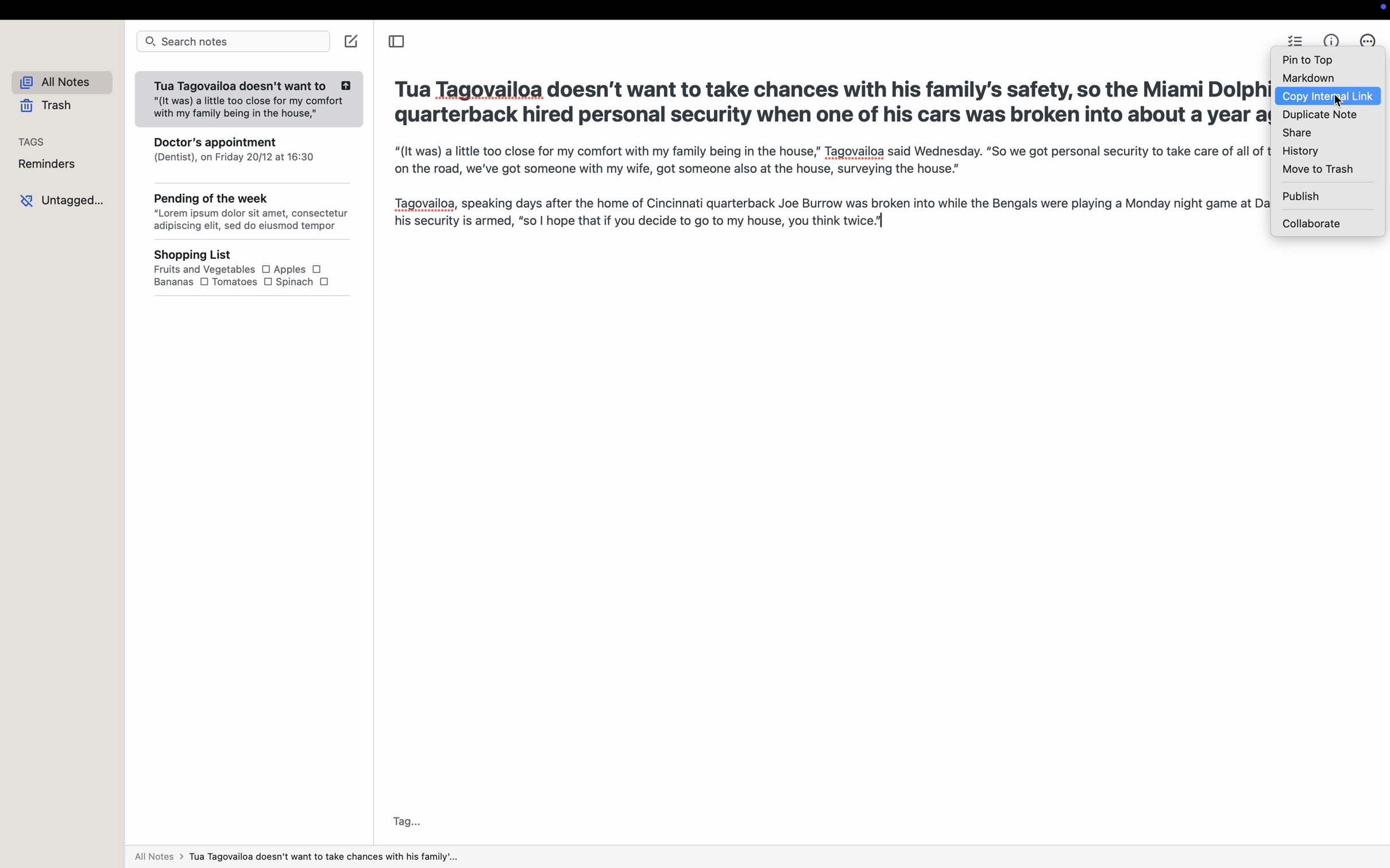 Image resolution: width=1390 pixels, height=868 pixels. Describe the element at coordinates (60, 200) in the screenshot. I see `untagged` at that location.